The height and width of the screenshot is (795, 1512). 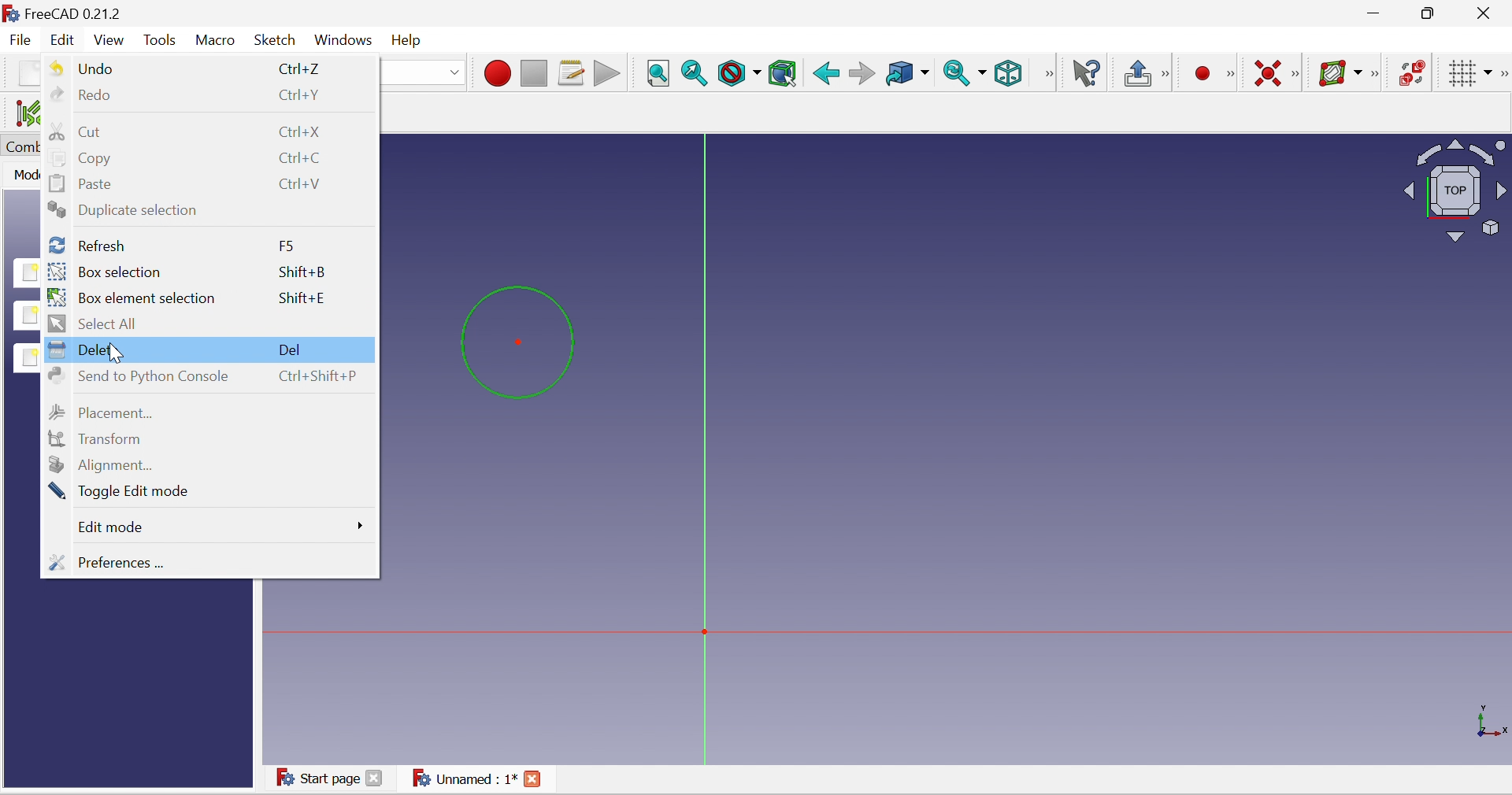 I want to click on FreeCAD 0.21.2, so click(x=70, y=13).